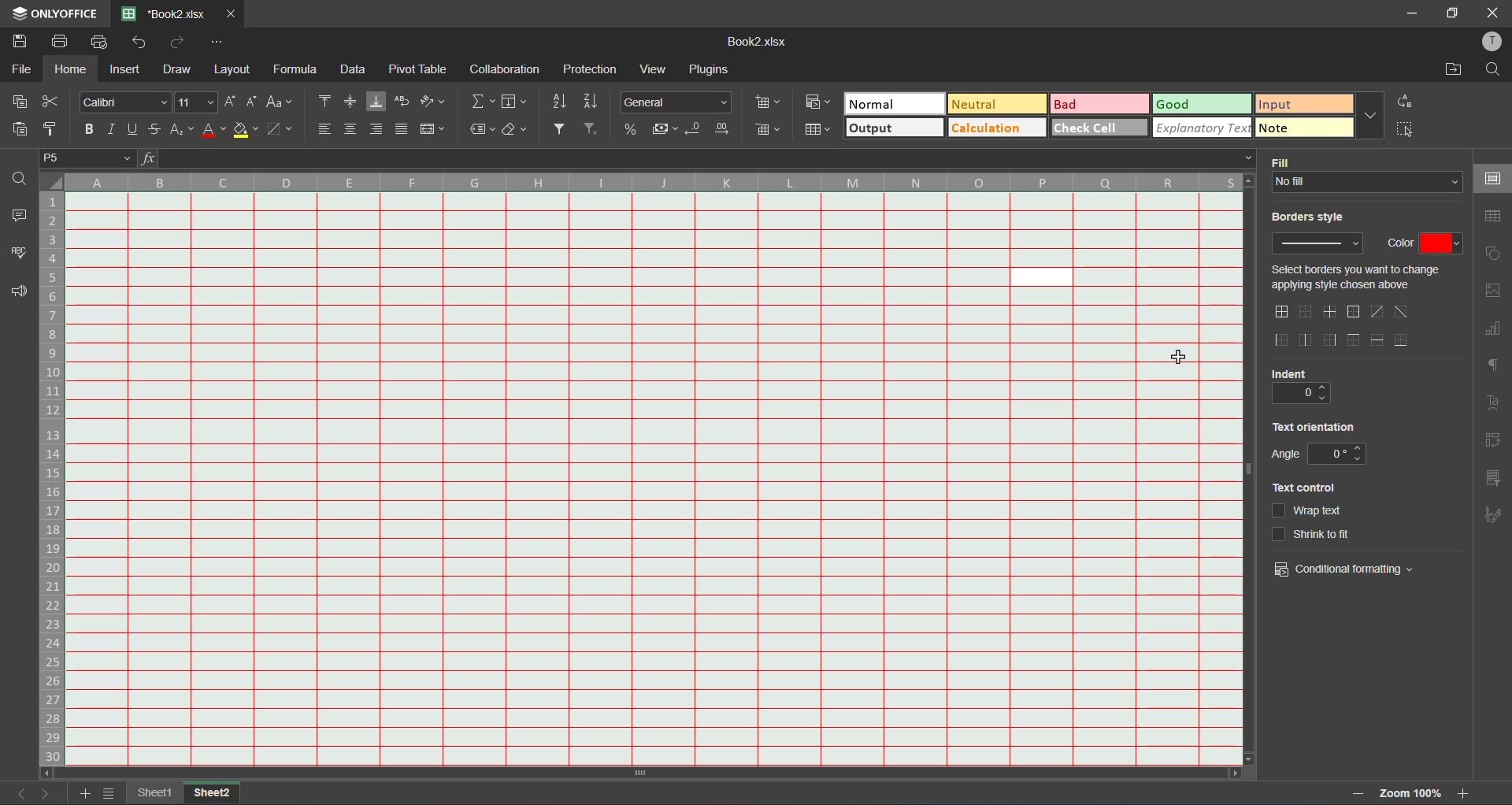 Image resolution: width=1512 pixels, height=805 pixels. Describe the element at coordinates (1404, 133) in the screenshot. I see `select cell` at that location.